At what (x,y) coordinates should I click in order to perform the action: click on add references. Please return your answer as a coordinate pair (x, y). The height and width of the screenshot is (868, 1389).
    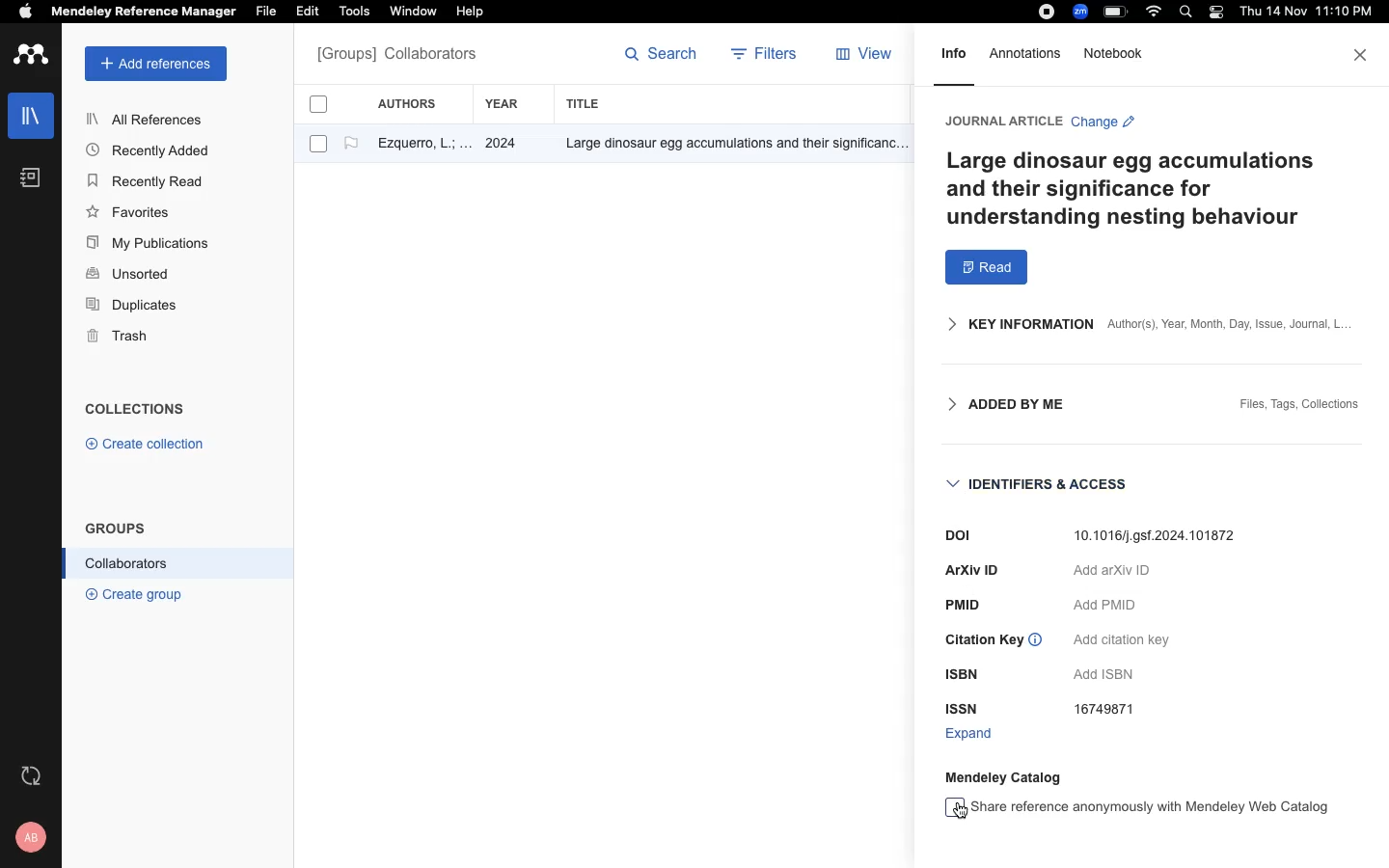
    Looking at the image, I should click on (156, 64).